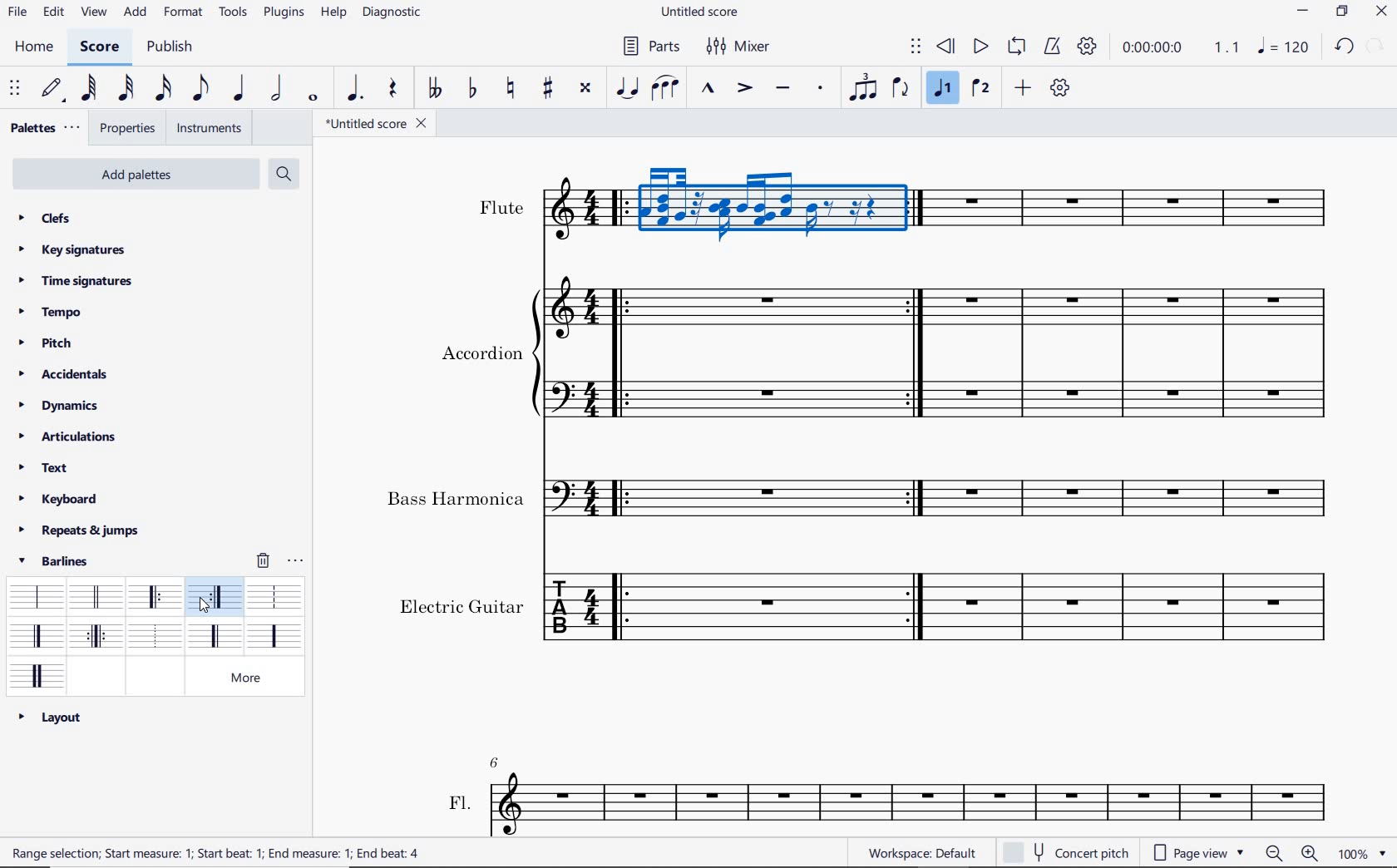  Describe the element at coordinates (864, 89) in the screenshot. I see `tuplet` at that location.